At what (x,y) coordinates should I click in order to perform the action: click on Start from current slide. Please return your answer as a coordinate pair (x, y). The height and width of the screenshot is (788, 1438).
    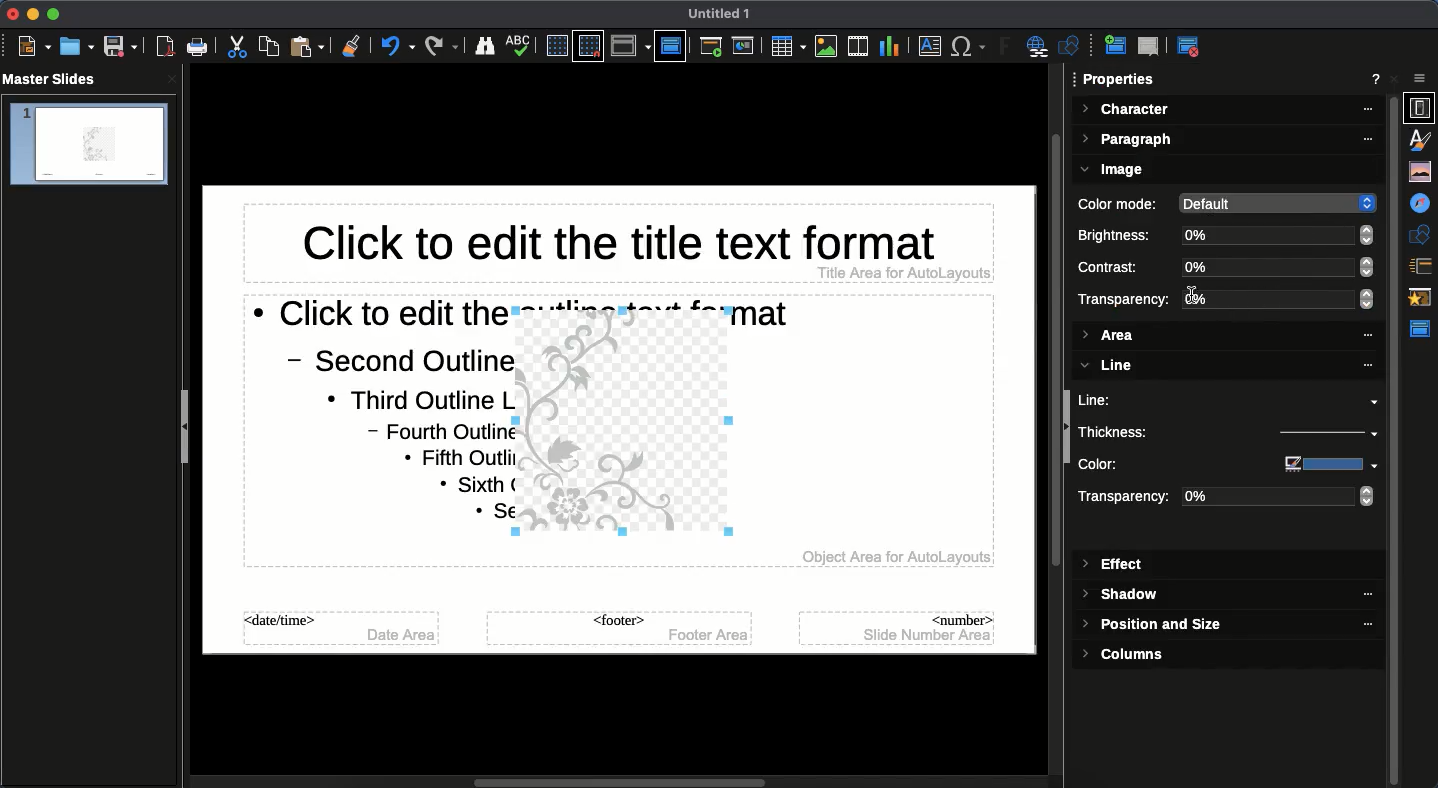
    Looking at the image, I should click on (745, 46).